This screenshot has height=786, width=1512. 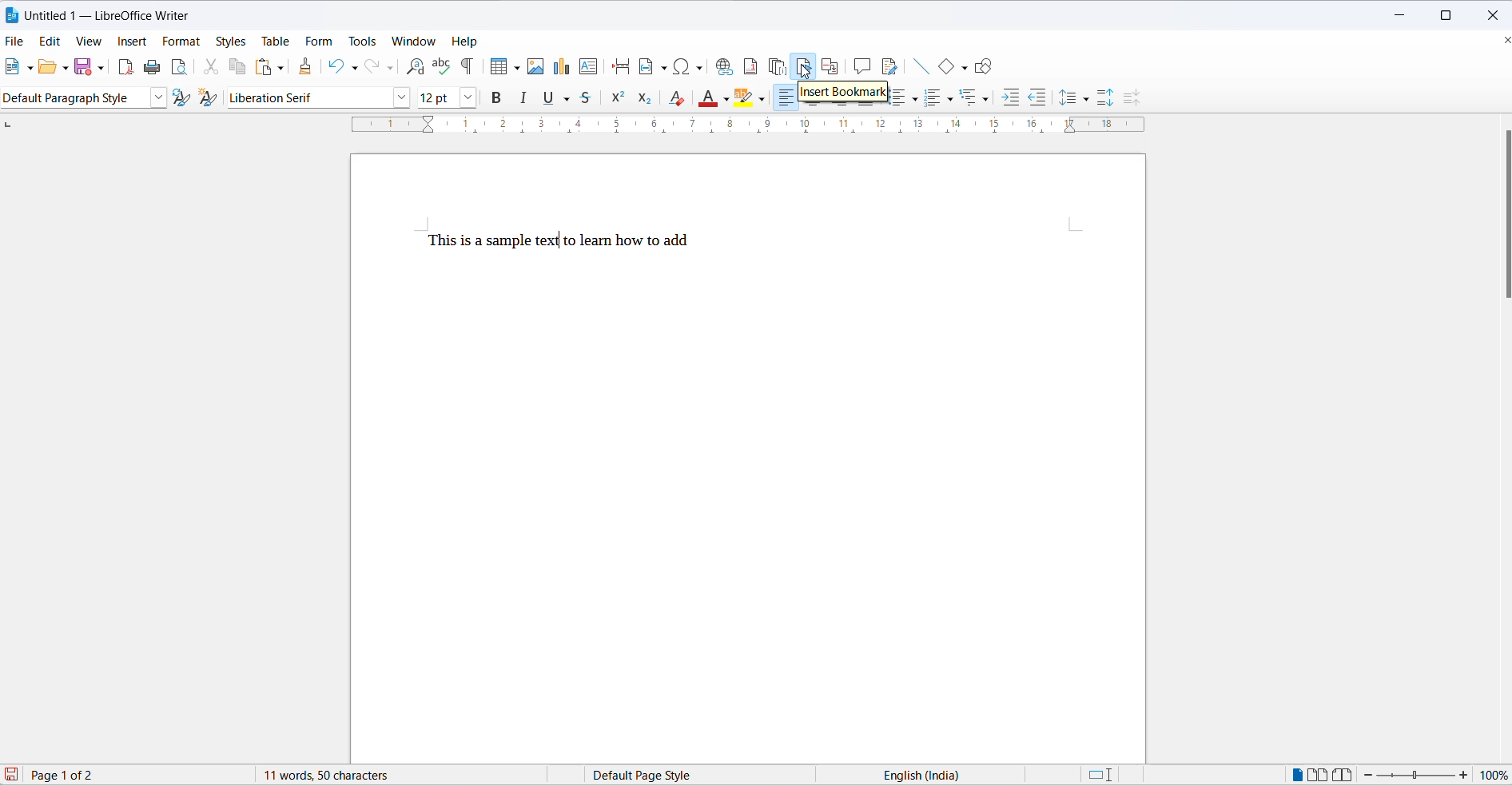 What do you see at coordinates (842, 92) in the screenshot?
I see `insert bookmark` at bounding box center [842, 92].